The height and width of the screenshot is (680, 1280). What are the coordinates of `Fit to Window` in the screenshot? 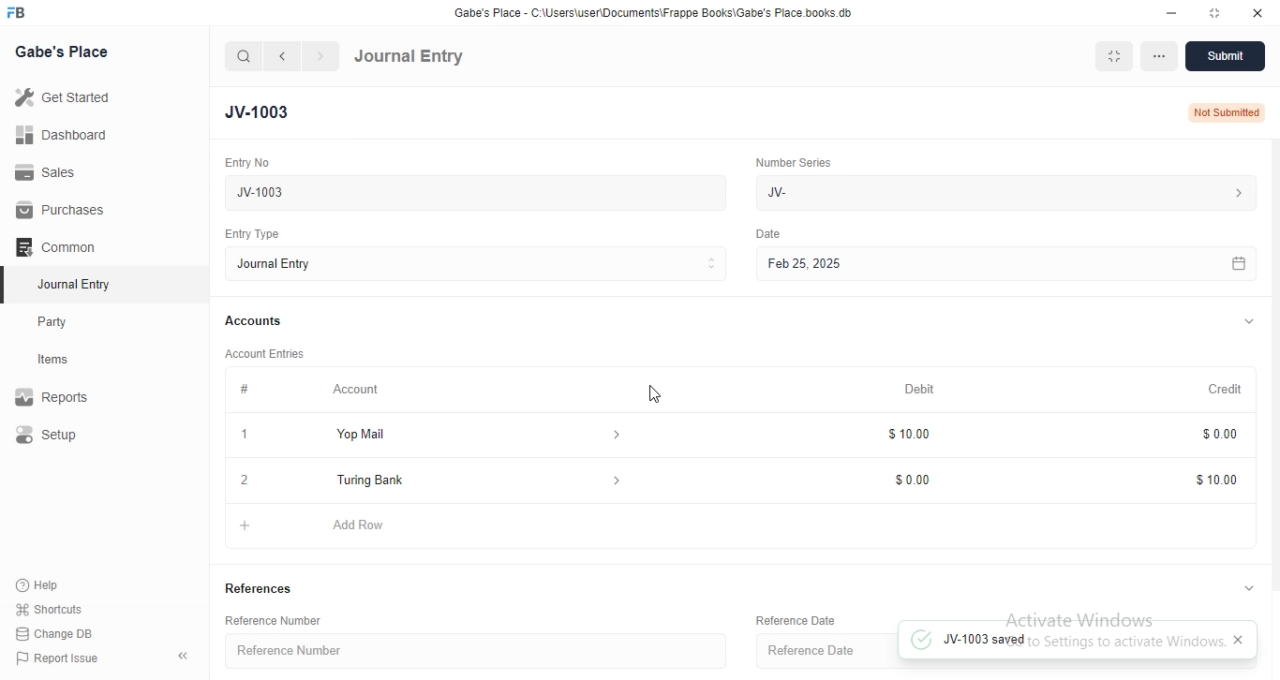 It's located at (1114, 57).